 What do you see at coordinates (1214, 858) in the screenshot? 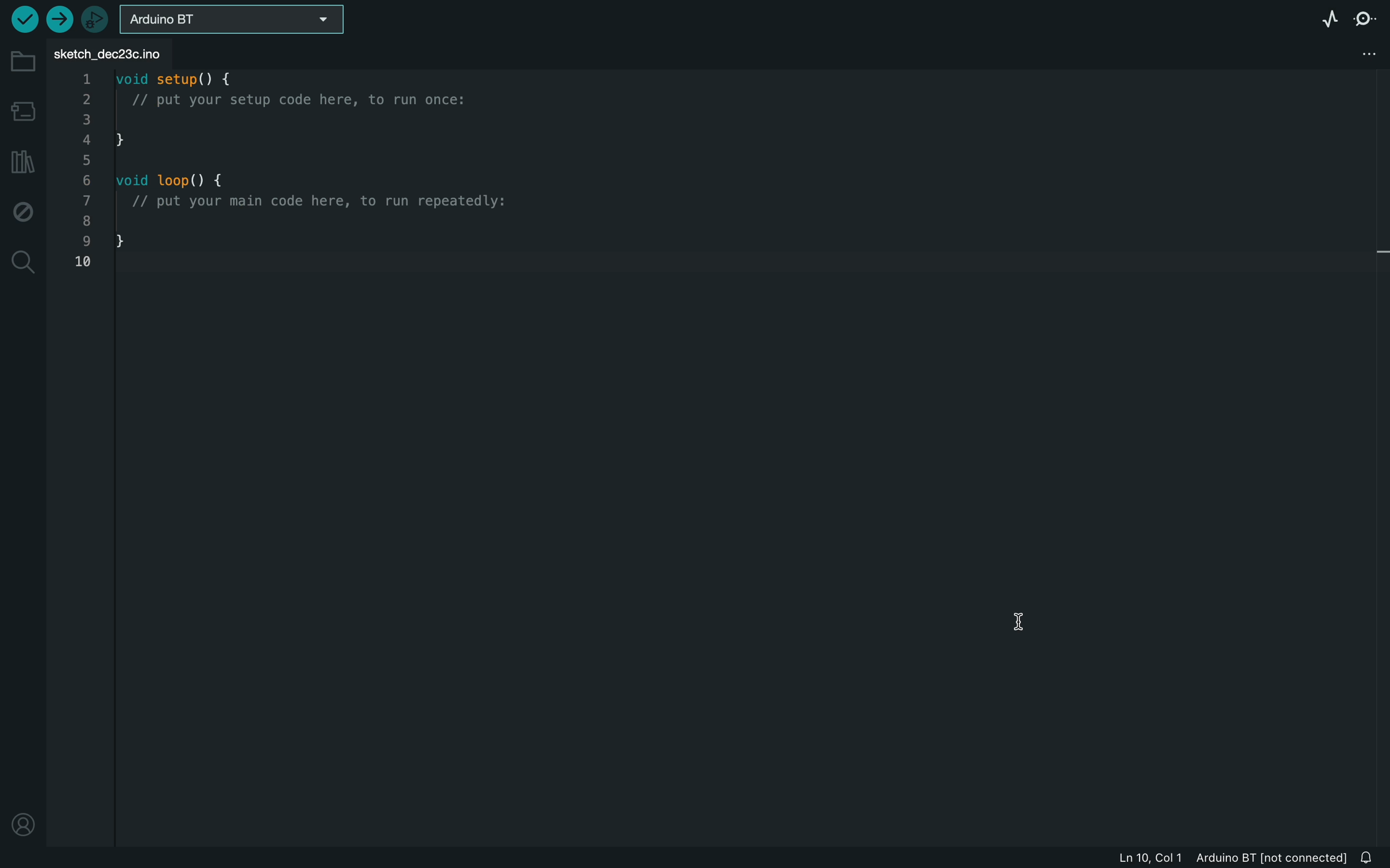
I see `file information` at bounding box center [1214, 858].